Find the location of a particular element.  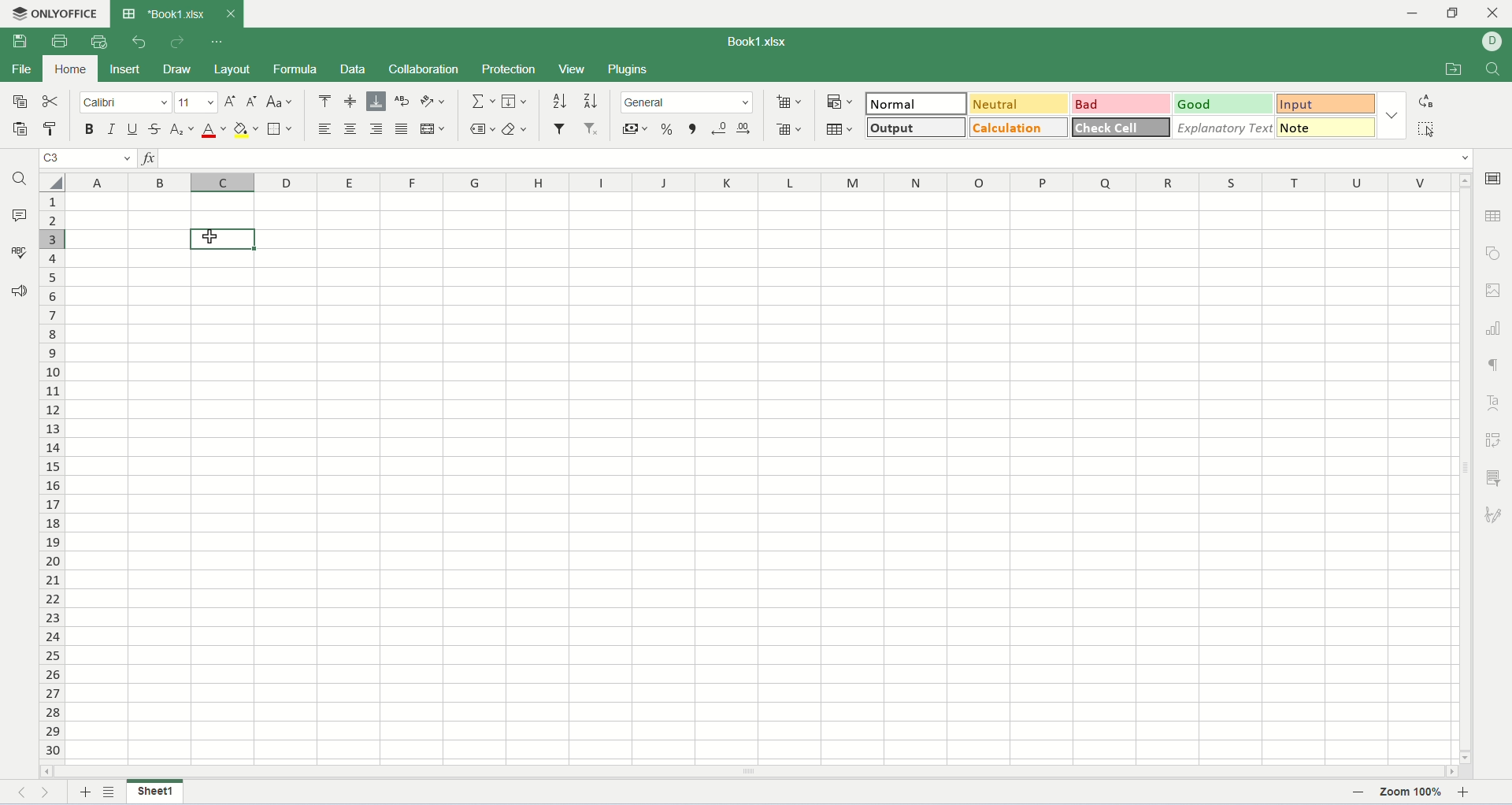

quich settings is located at coordinates (218, 42).